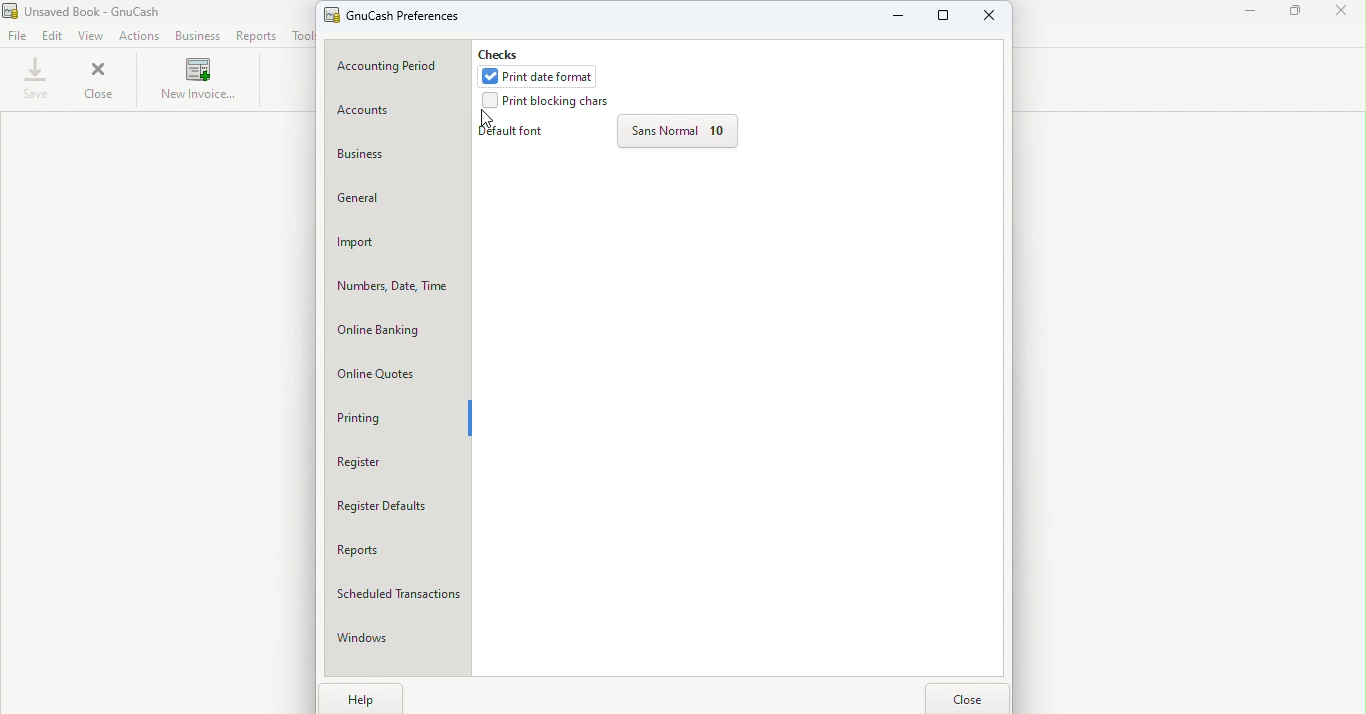 The width and height of the screenshot is (1366, 714). Describe the element at coordinates (399, 243) in the screenshot. I see `Import` at that location.